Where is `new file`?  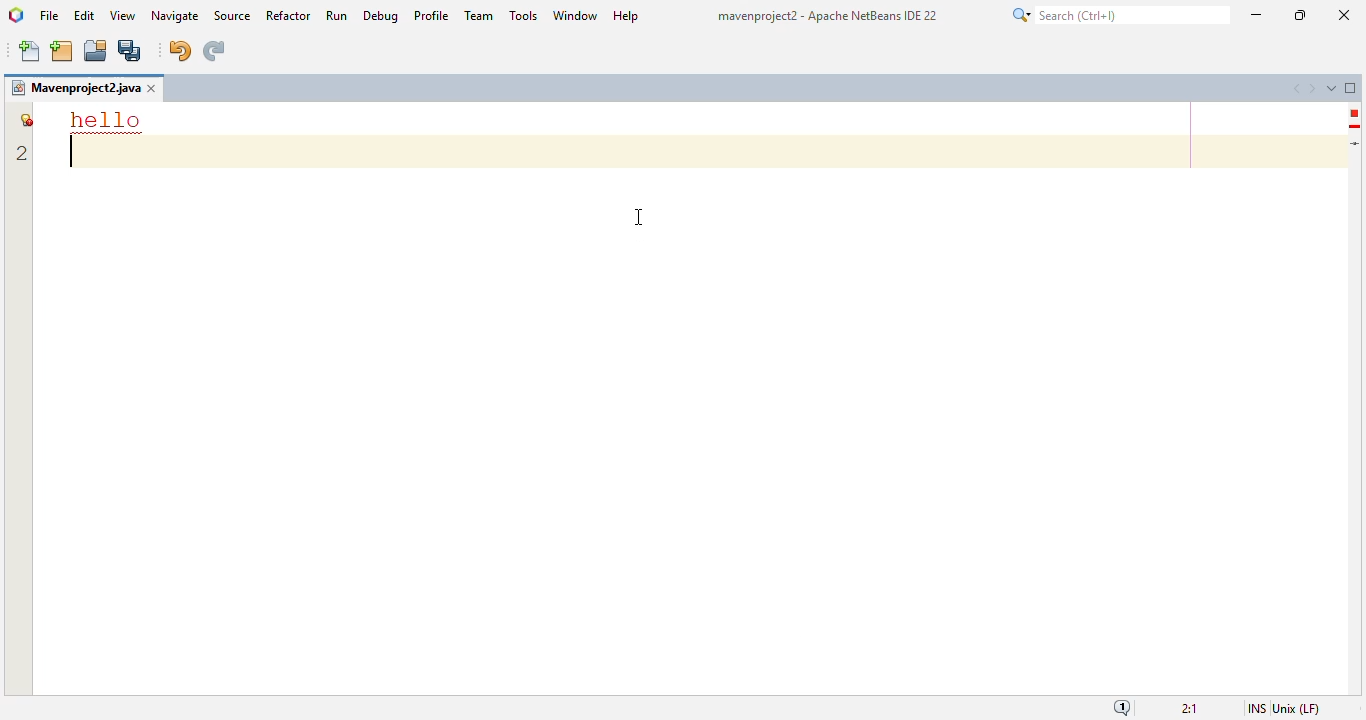
new file is located at coordinates (31, 51).